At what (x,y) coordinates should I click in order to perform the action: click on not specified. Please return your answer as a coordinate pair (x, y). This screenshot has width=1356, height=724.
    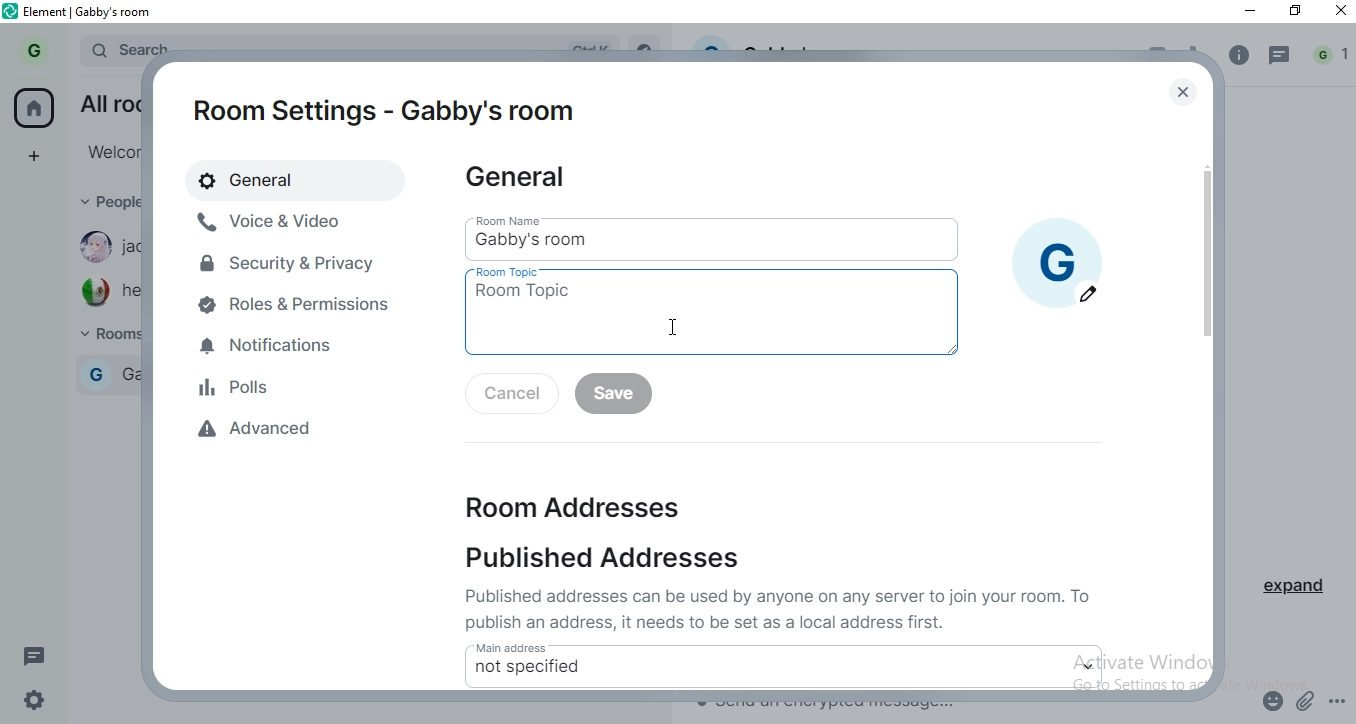
    Looking at the image, I should click on (529, 668).